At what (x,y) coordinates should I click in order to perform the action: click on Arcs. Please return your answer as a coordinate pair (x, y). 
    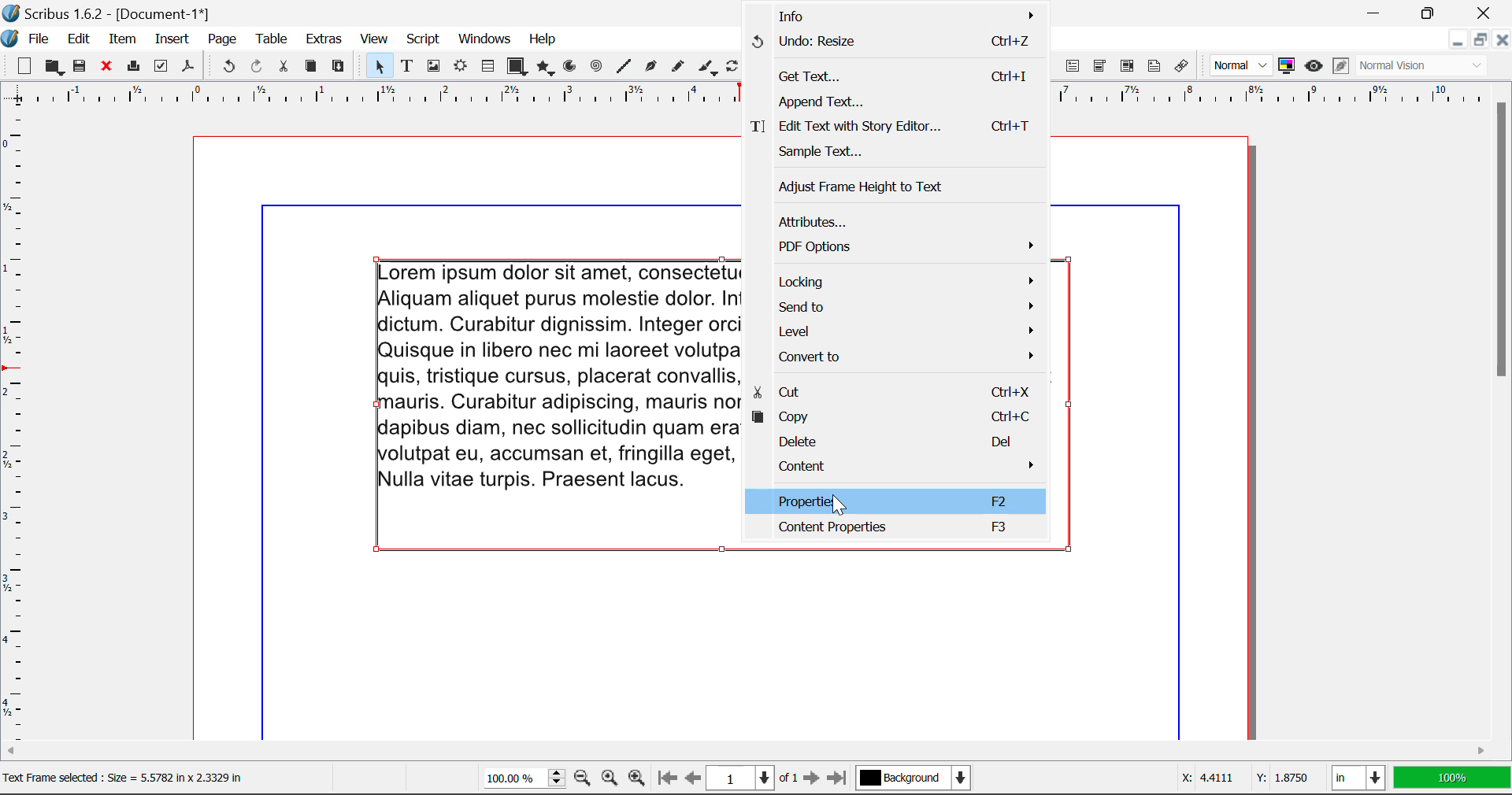
    Looking at the image, I should click on (572, 70).